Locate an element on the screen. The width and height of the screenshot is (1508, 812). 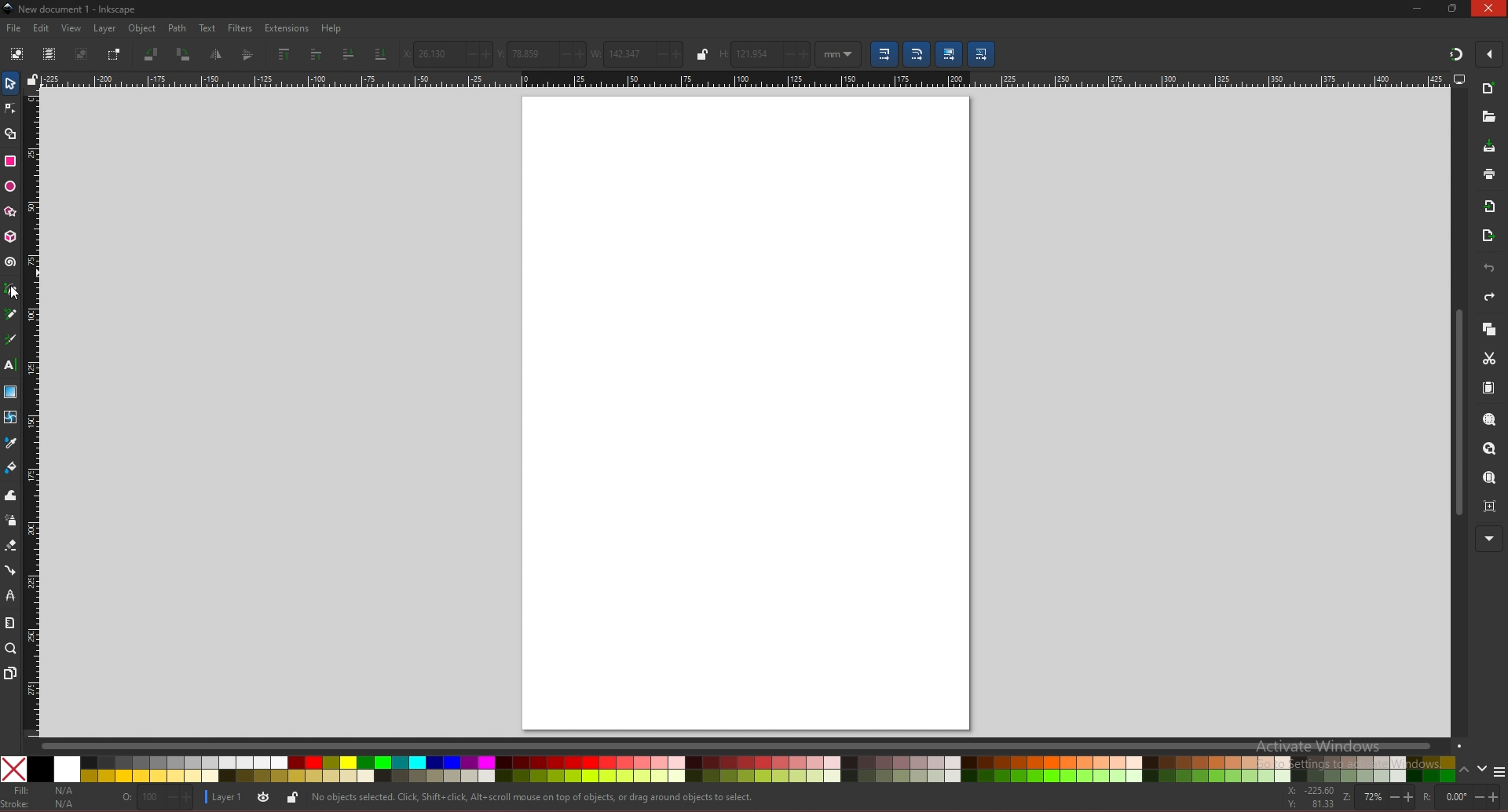
y coordinate is located at coordinates (542, 53).